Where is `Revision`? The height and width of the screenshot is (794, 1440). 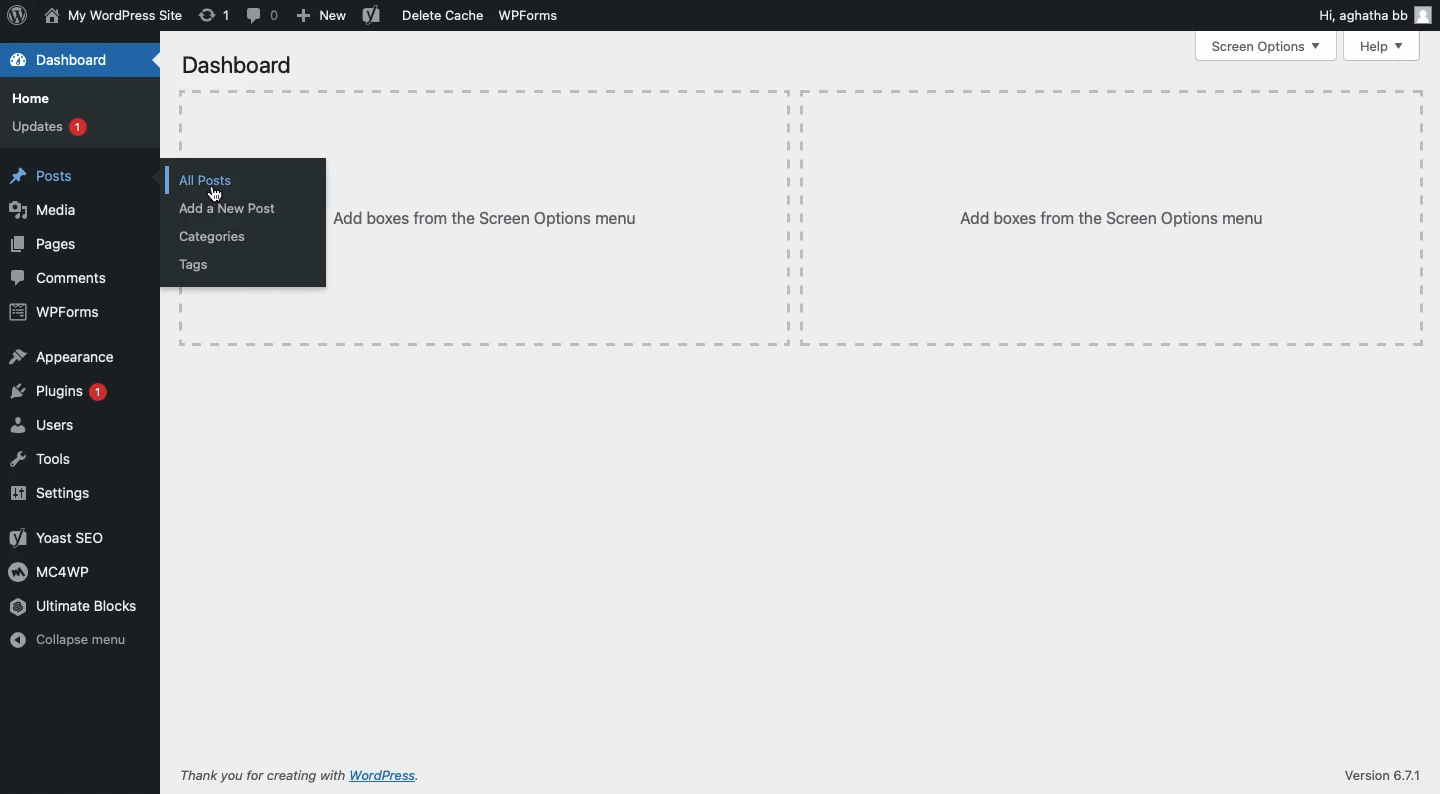 Revision is located at coordinates (215, 15).